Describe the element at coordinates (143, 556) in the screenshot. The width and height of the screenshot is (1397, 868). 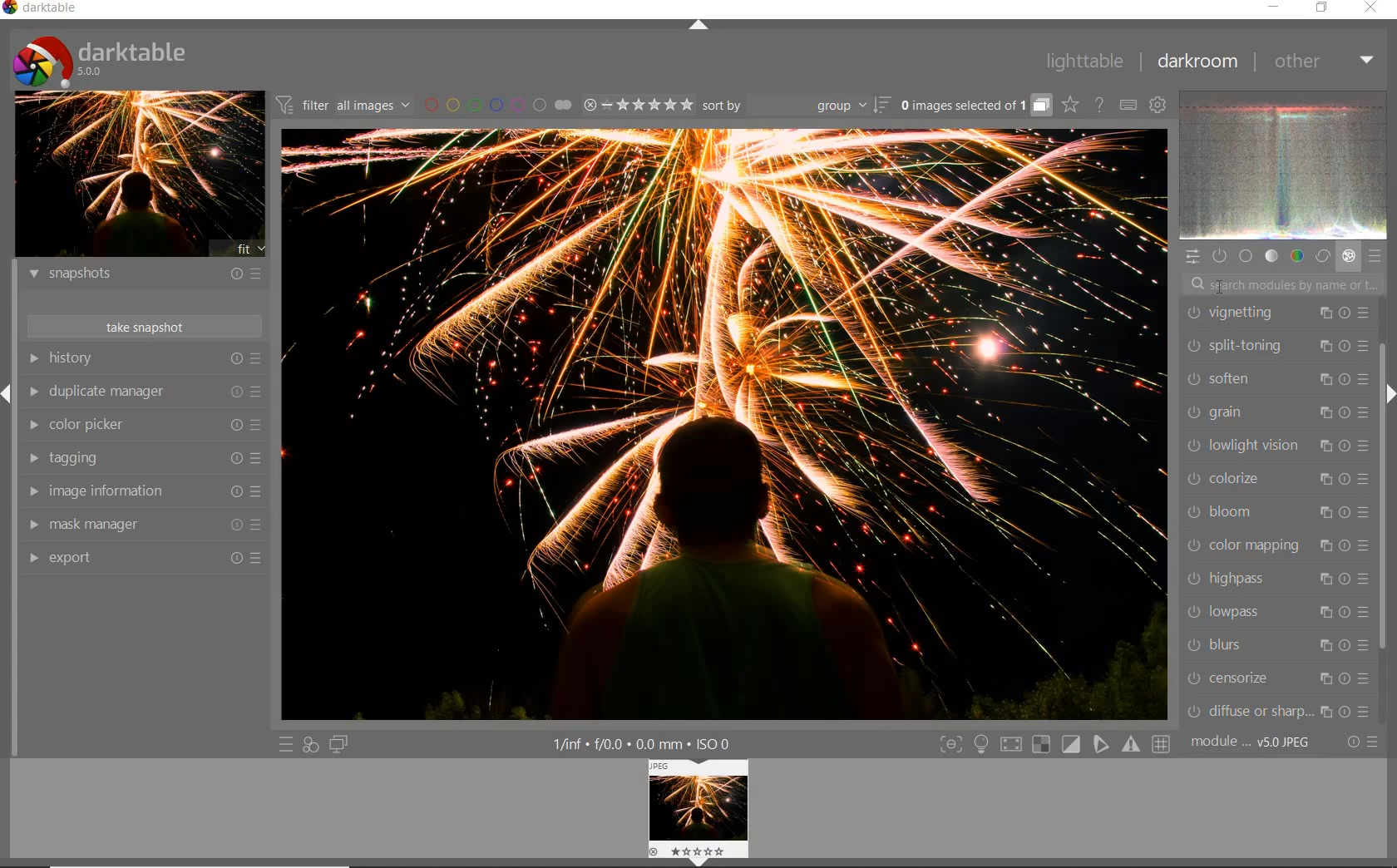
I see `export` at that location.